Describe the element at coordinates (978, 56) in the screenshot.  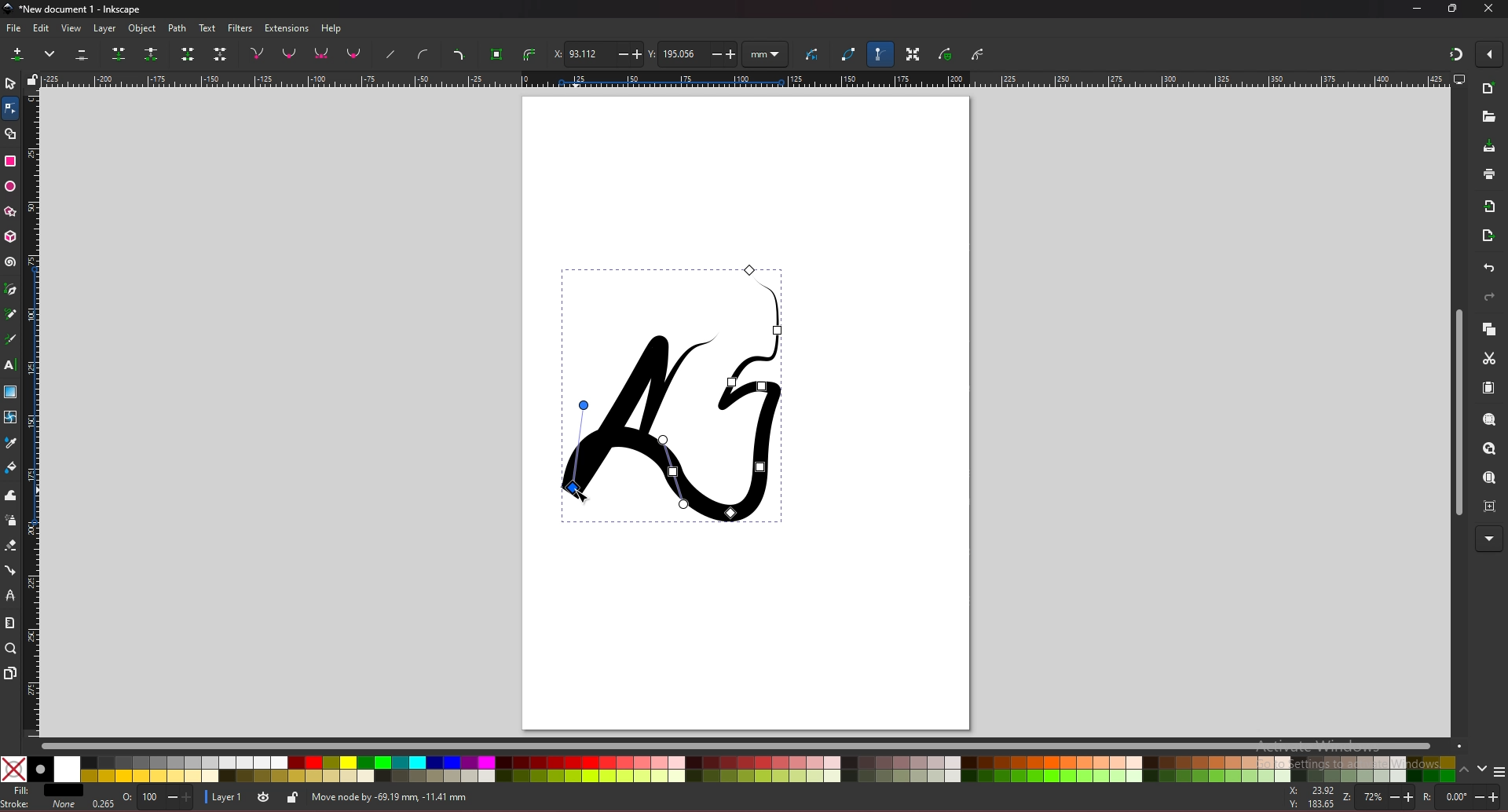
I see `show clipping path` at that location.